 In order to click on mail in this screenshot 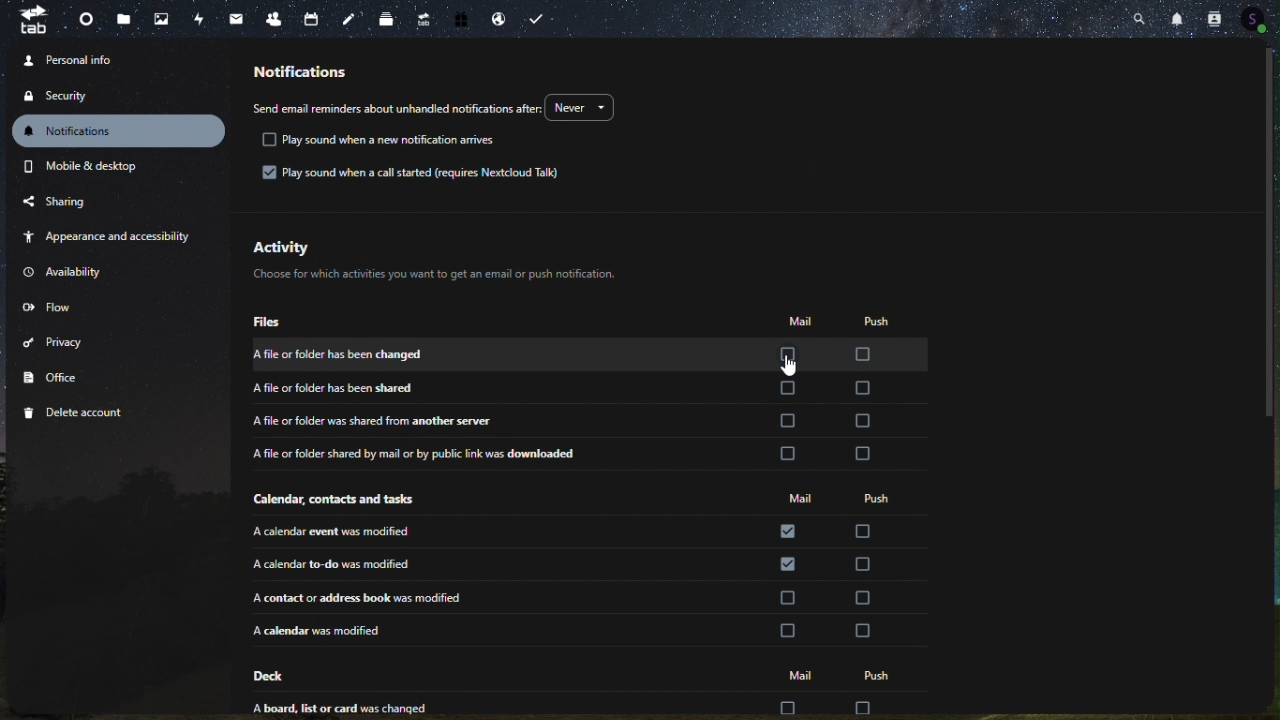, I will do `click(801, 500)`.